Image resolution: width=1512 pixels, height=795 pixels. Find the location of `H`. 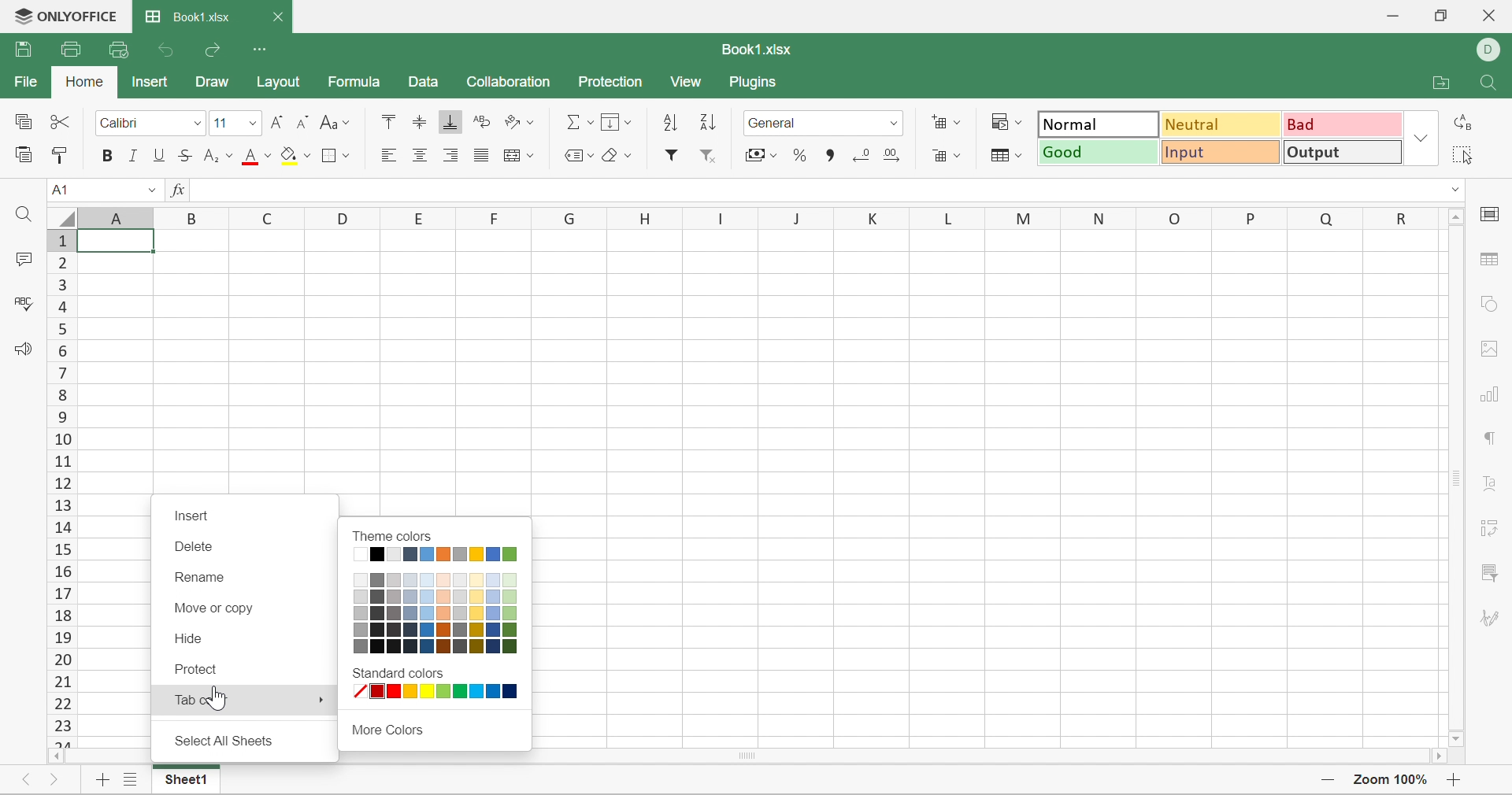

H is located at coordinates (642, 219).